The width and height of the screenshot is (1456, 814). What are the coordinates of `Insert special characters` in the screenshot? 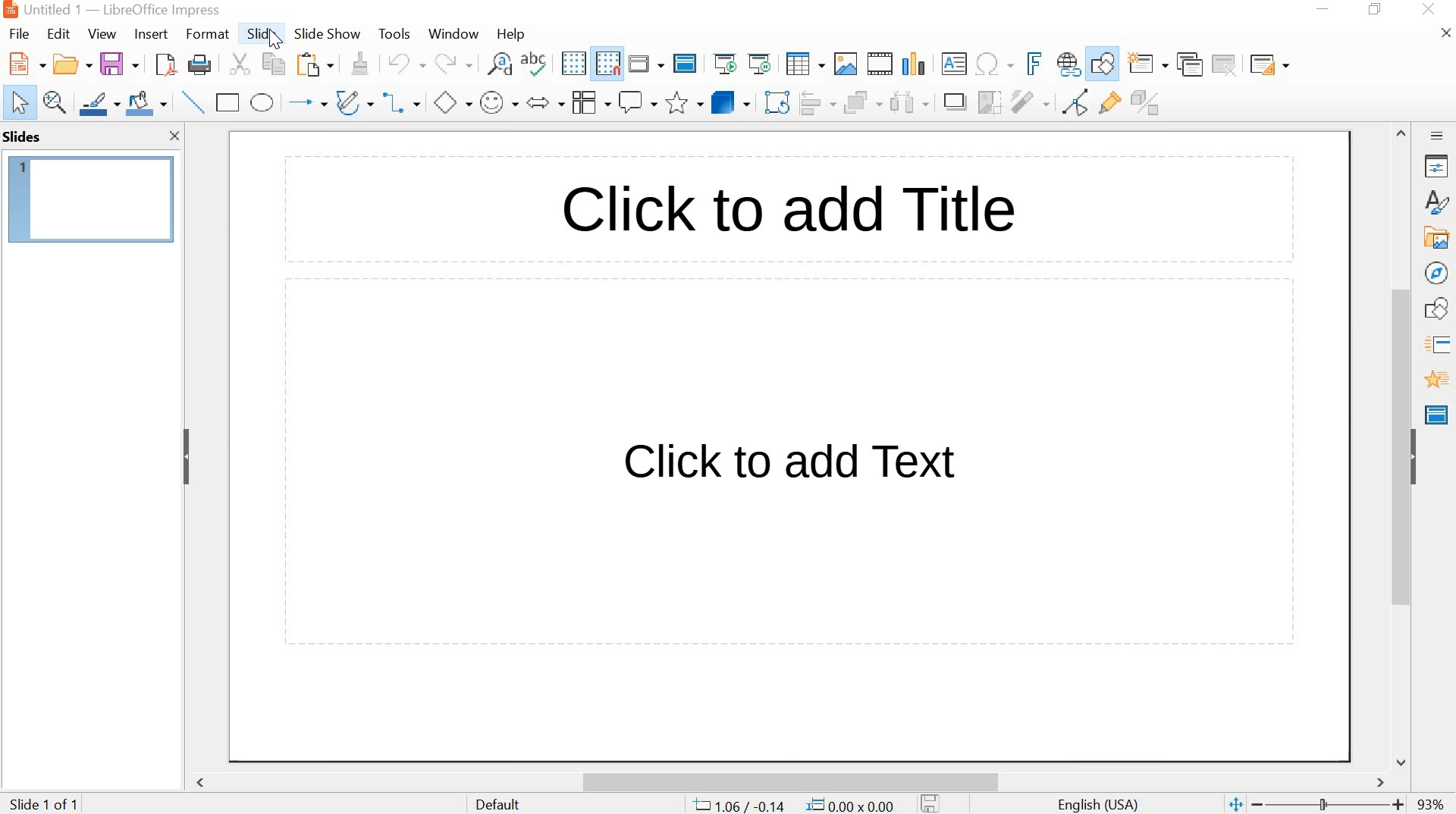 It's located at (996, 64).